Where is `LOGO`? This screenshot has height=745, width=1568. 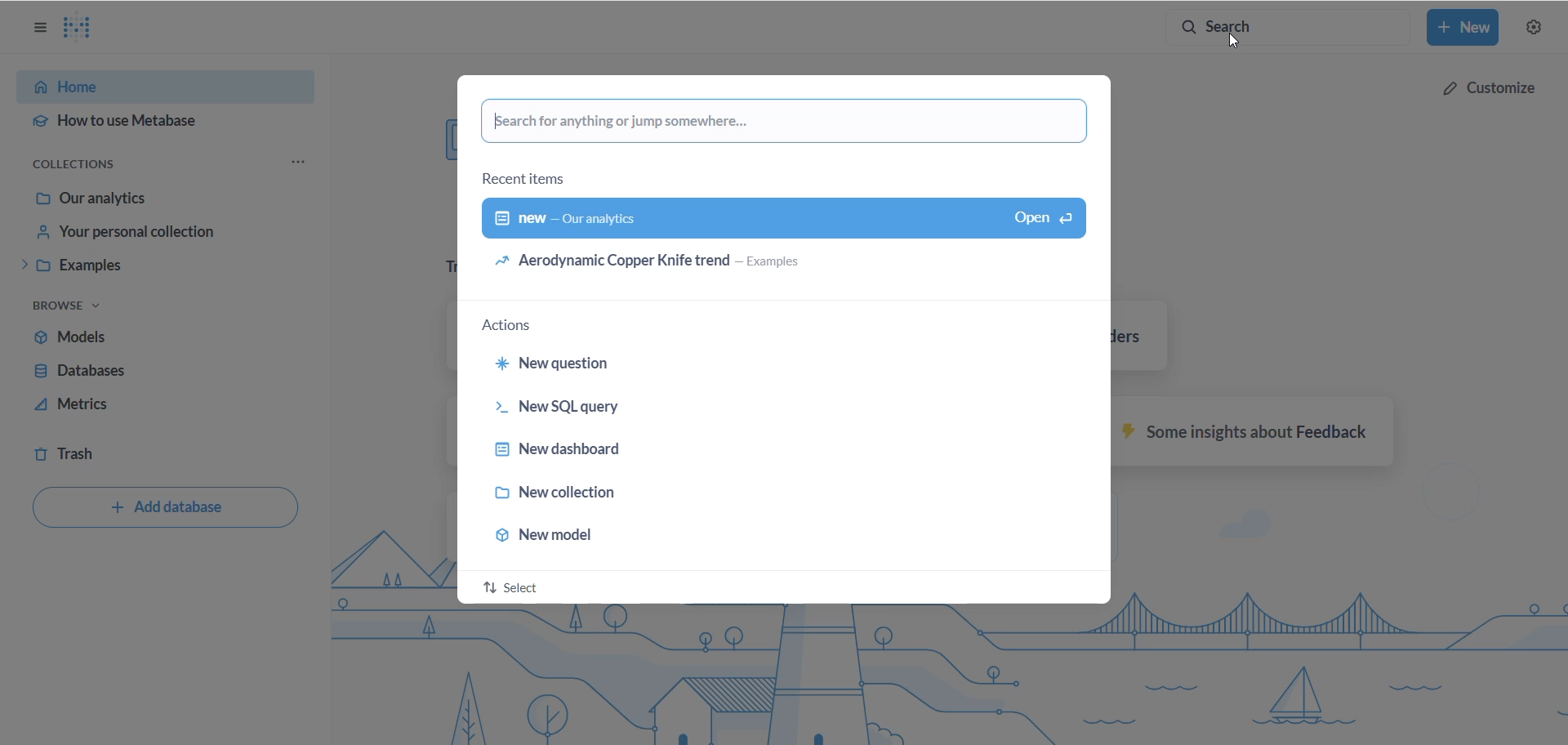
LOGO is located at coordinates (87, 29).